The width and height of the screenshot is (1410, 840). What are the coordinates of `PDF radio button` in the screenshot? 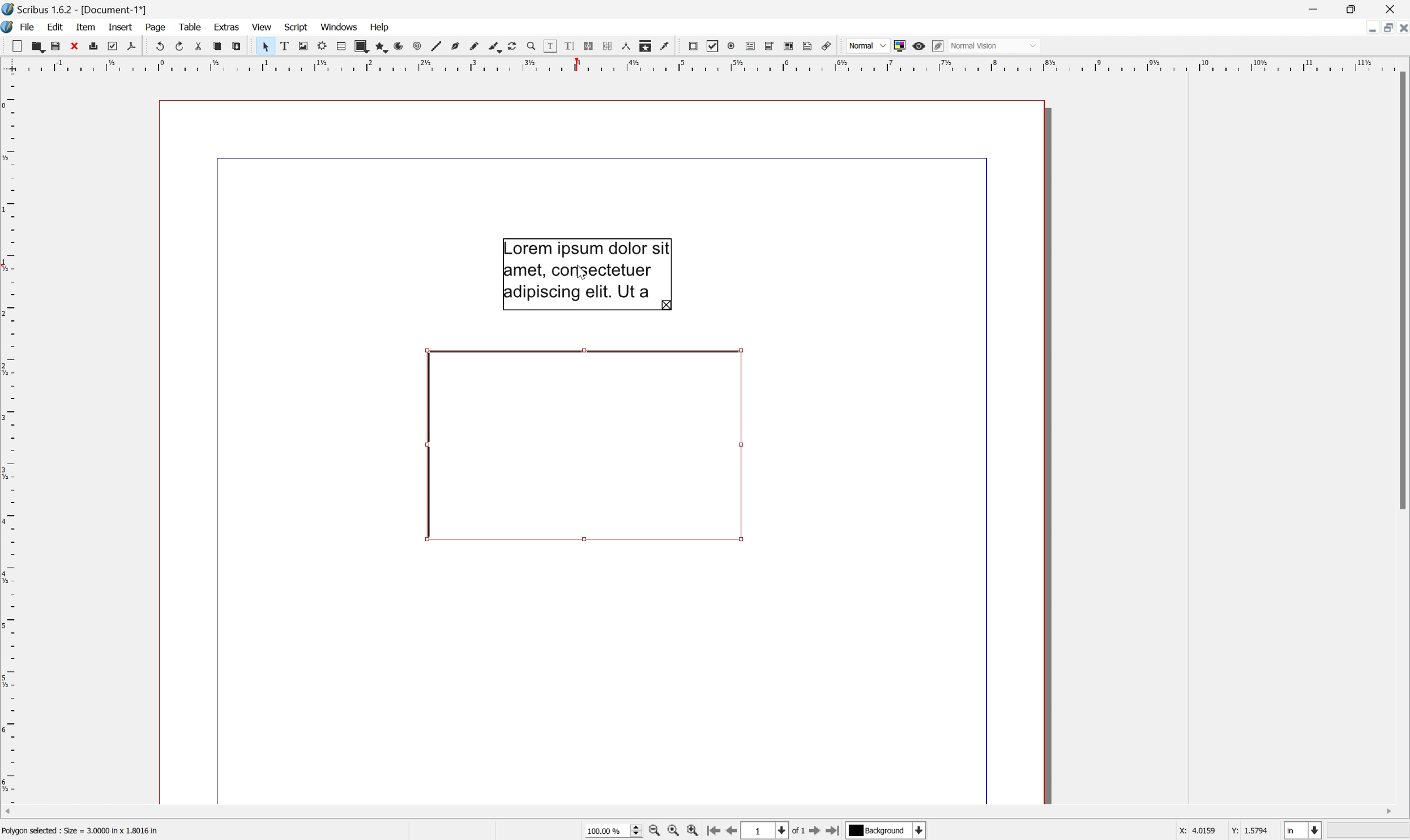 It's located at (730, 46).